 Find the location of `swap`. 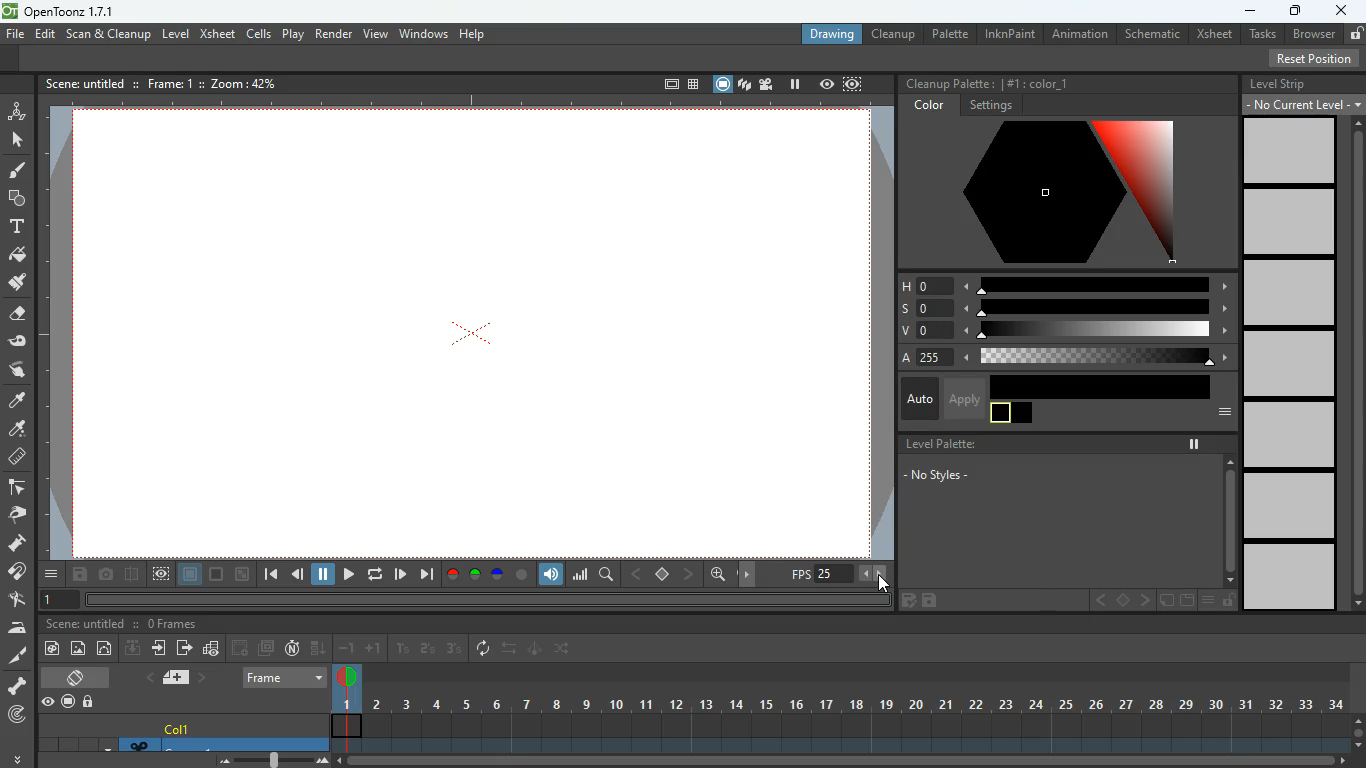

swap is located at coordinates (510, 648).